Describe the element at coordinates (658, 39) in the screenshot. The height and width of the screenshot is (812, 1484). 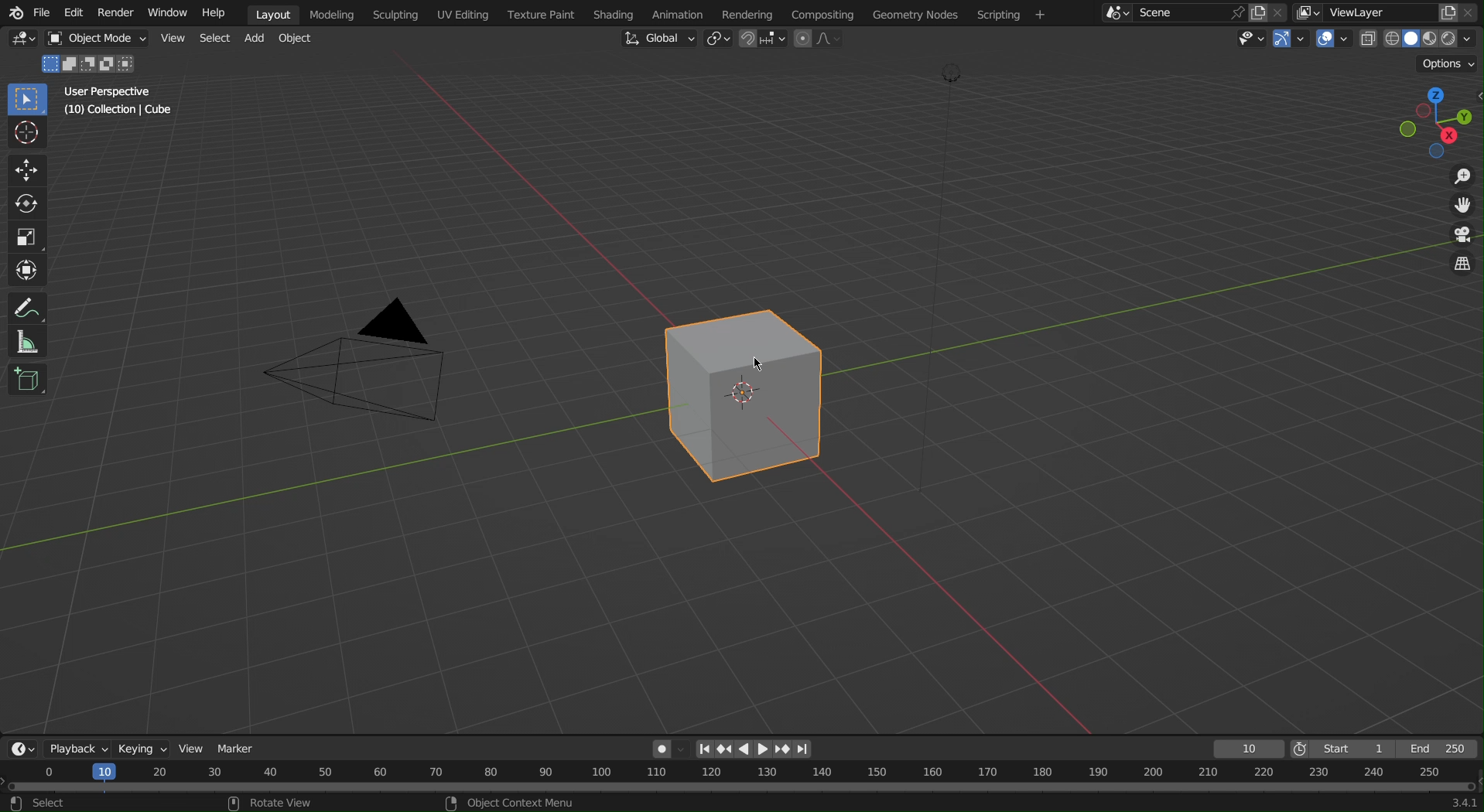
I see `Global` at that location.